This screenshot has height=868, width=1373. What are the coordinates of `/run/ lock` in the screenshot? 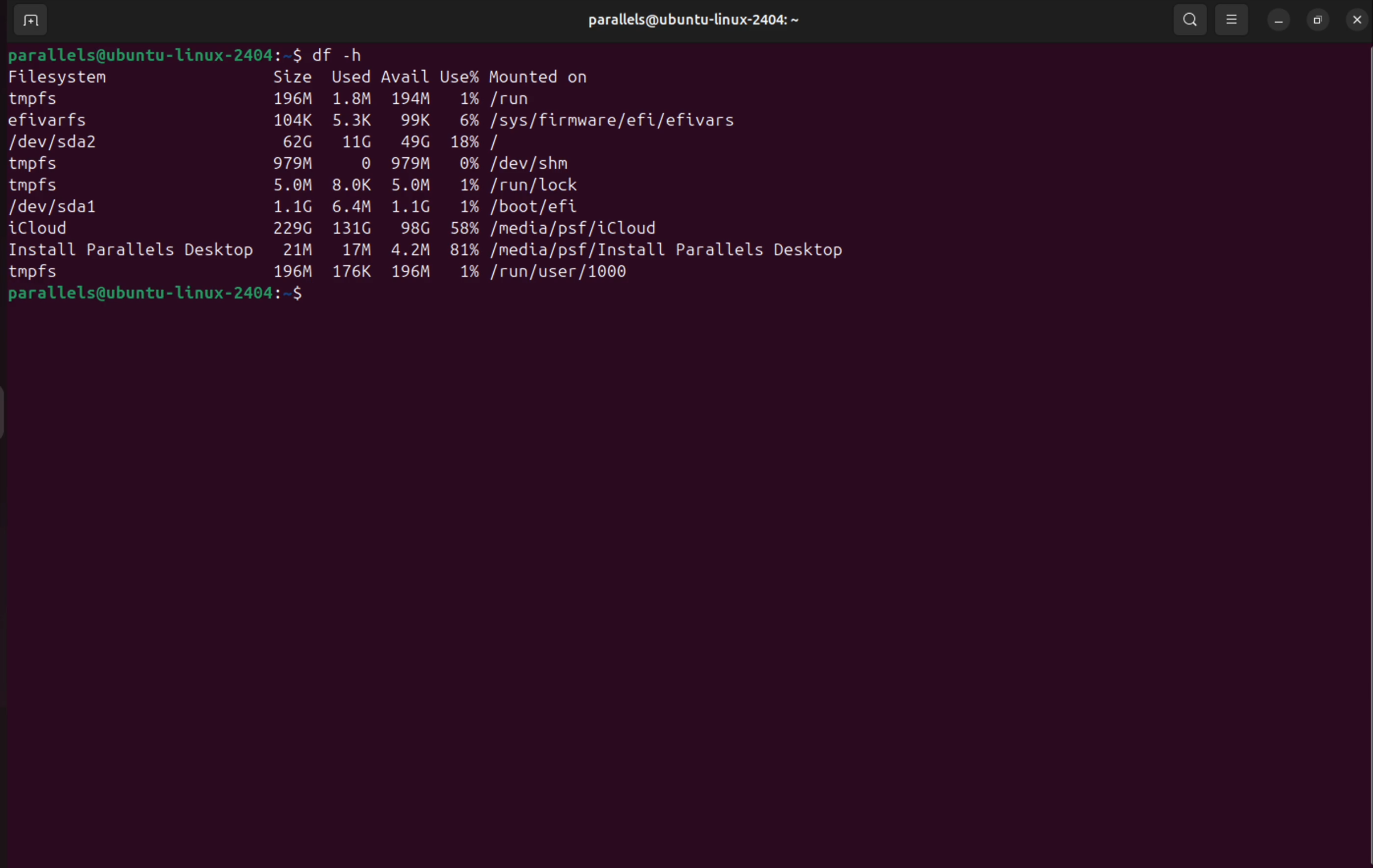 It's located at (545, 186).